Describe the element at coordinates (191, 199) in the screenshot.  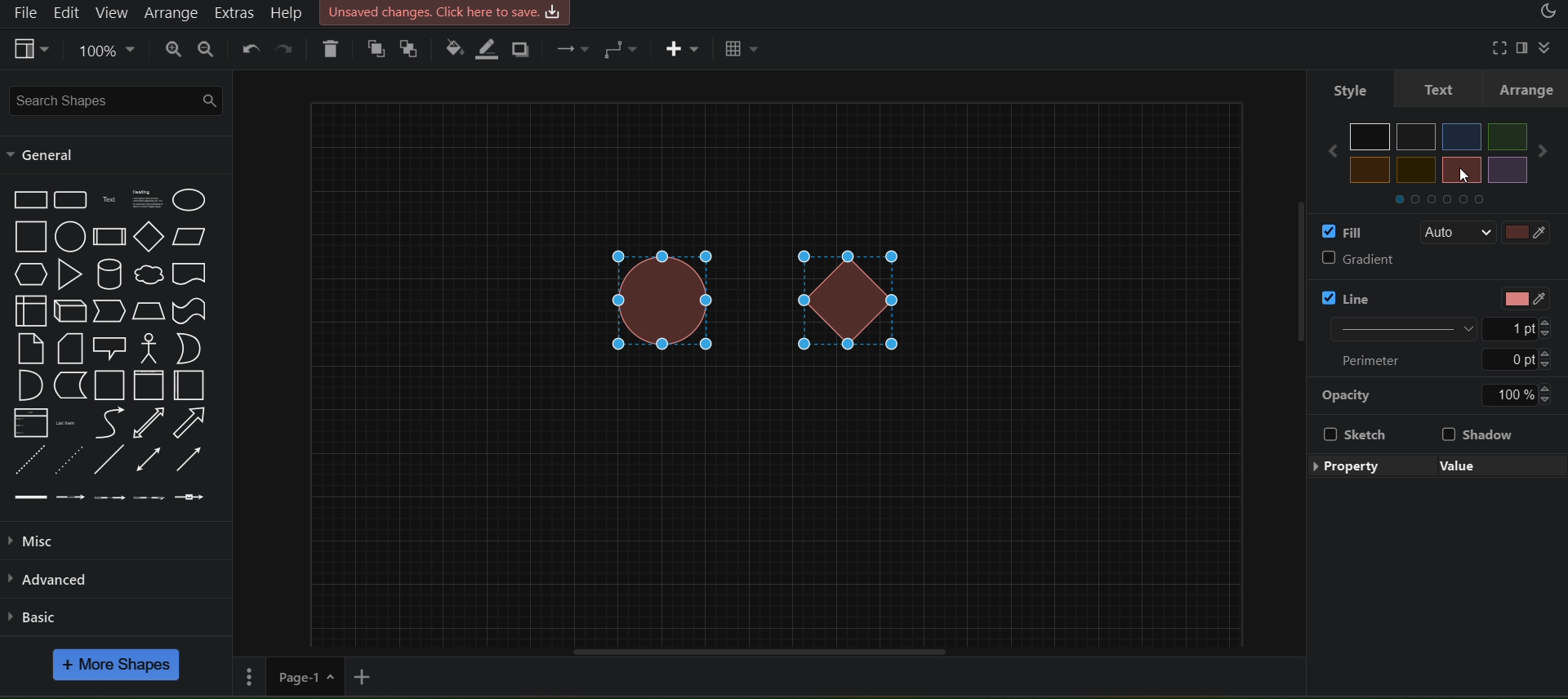
I see `Ellipse` at that location.